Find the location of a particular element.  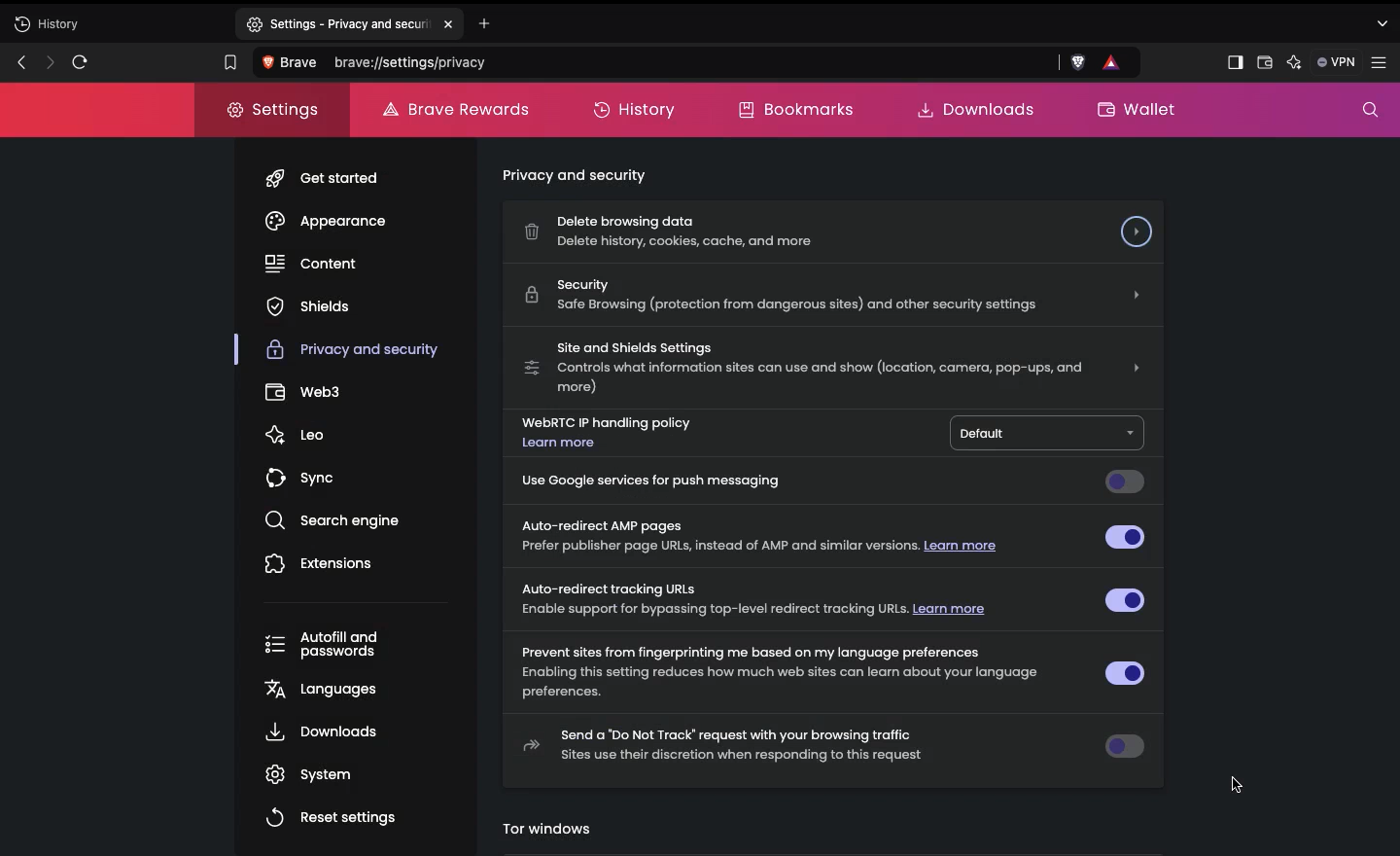

Privacy and security is located at coordinates (335, 352).